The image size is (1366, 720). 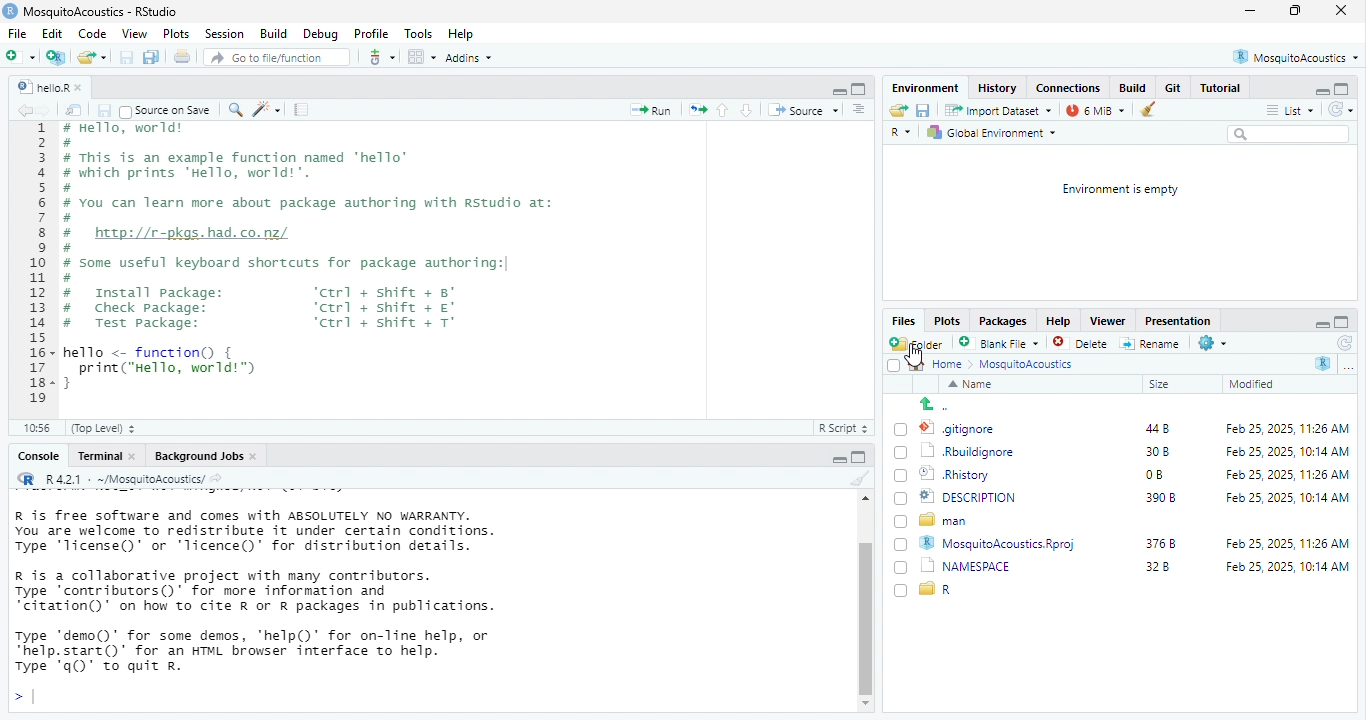 I want to click on 0B, so click(x=1150, y=475).